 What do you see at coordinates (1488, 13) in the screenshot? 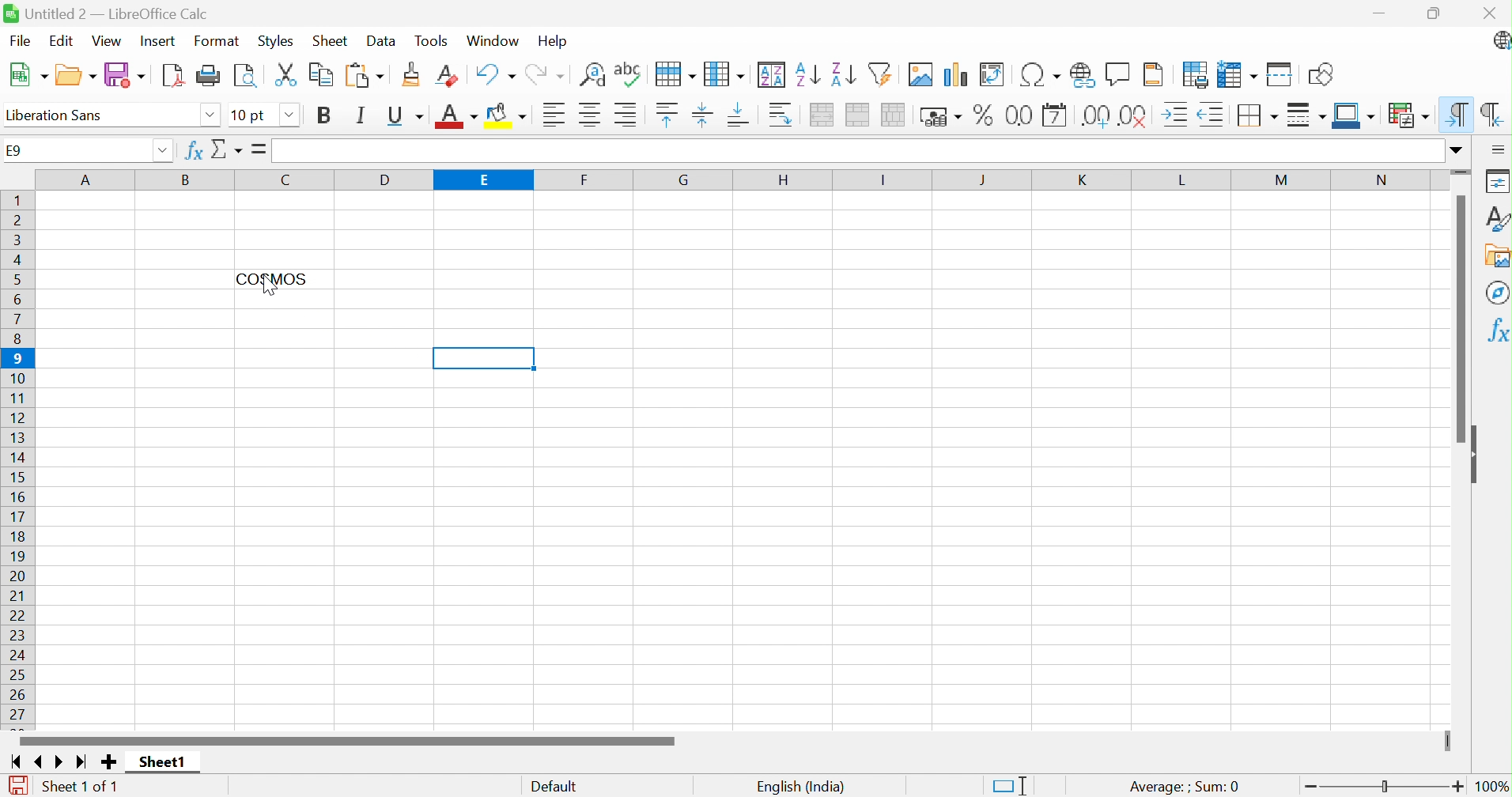
I see `Close` at bounding box center [1488, 13].